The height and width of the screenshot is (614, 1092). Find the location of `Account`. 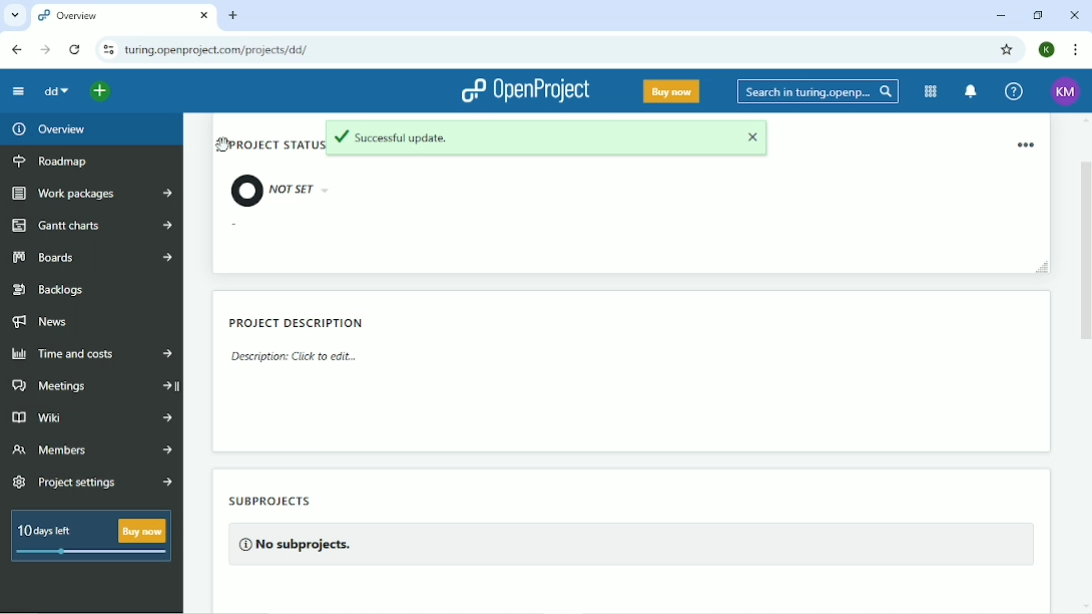

Account is located at coordinates (1066, 91).